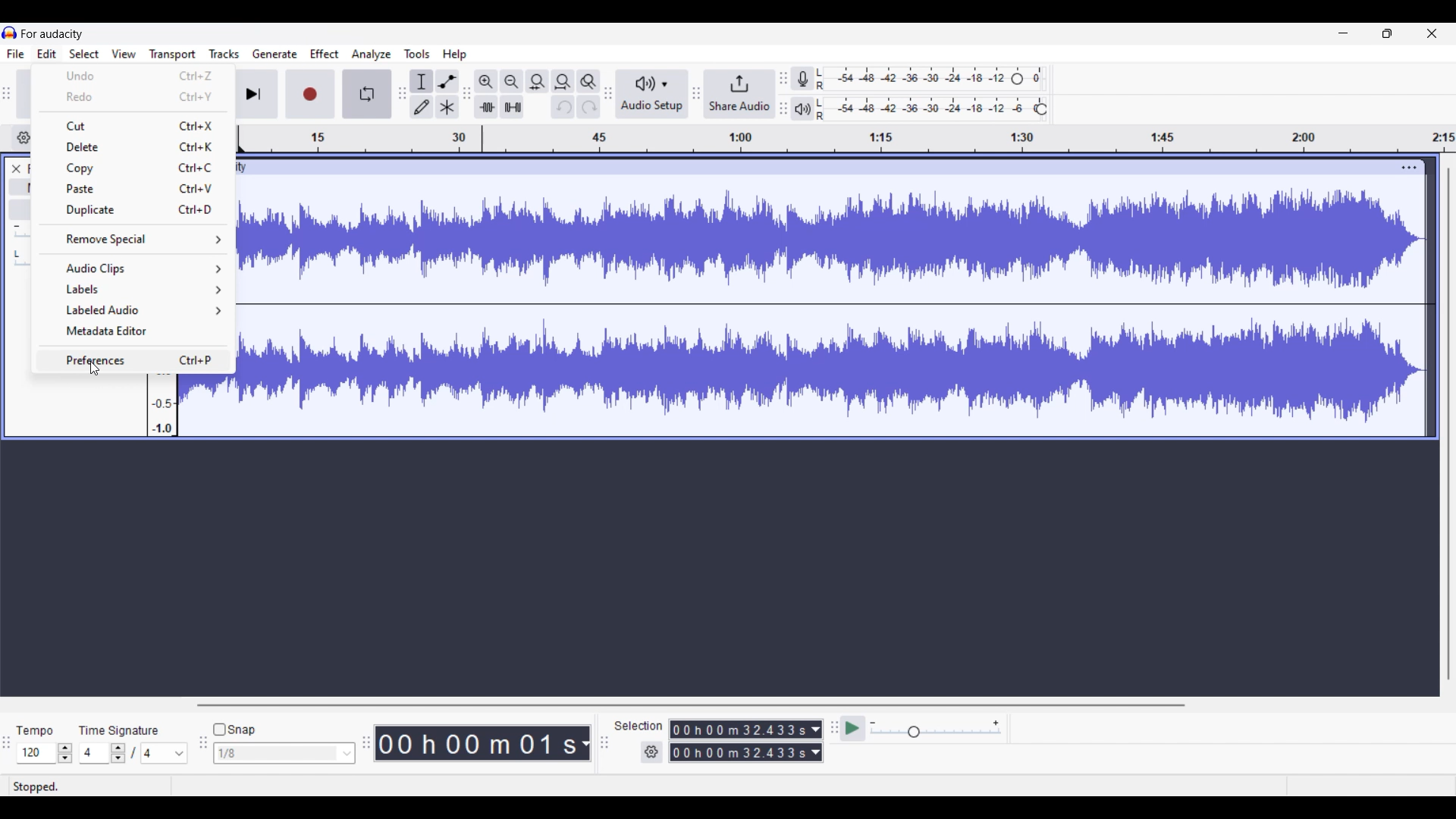 The width and height of the screenshot is (1456, 819). I want to click on Cut, so click(133, 127).